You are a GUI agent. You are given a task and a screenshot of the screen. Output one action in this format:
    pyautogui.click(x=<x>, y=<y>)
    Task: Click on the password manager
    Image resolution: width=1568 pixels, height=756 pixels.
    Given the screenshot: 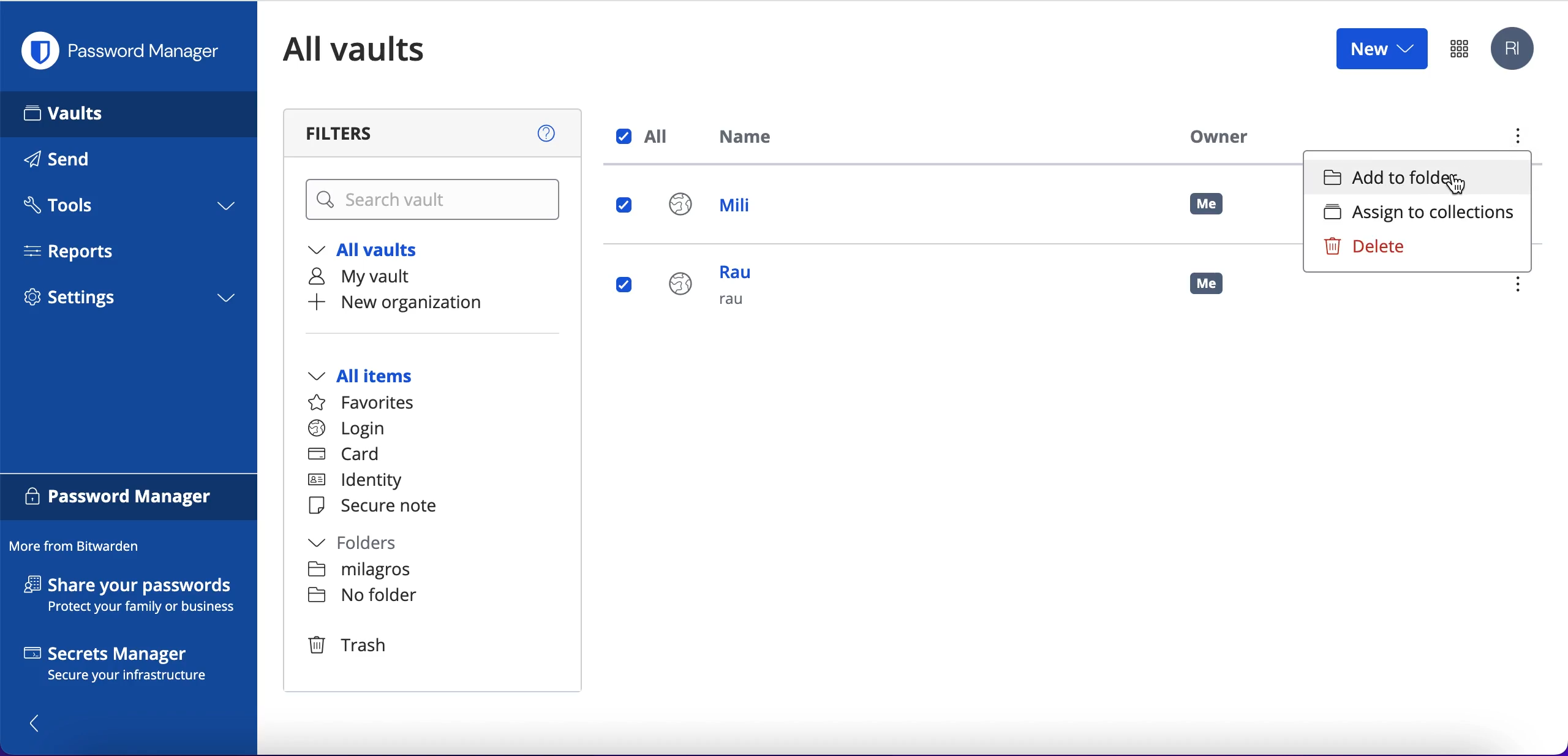 What is the action you would take?
    pyautogui.click(x=1459, y=48)
    